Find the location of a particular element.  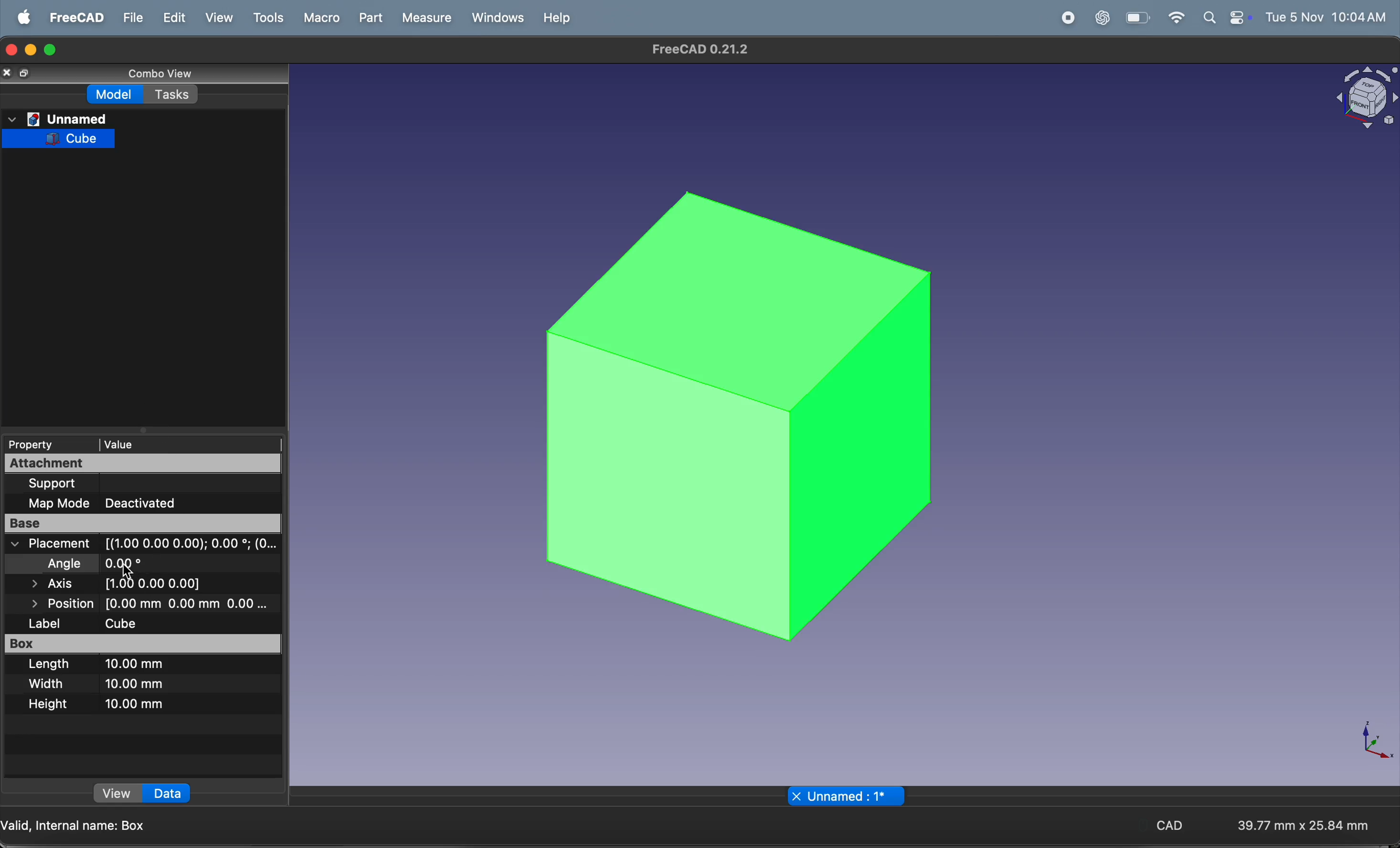

closing is located at coordinates (14, 49).